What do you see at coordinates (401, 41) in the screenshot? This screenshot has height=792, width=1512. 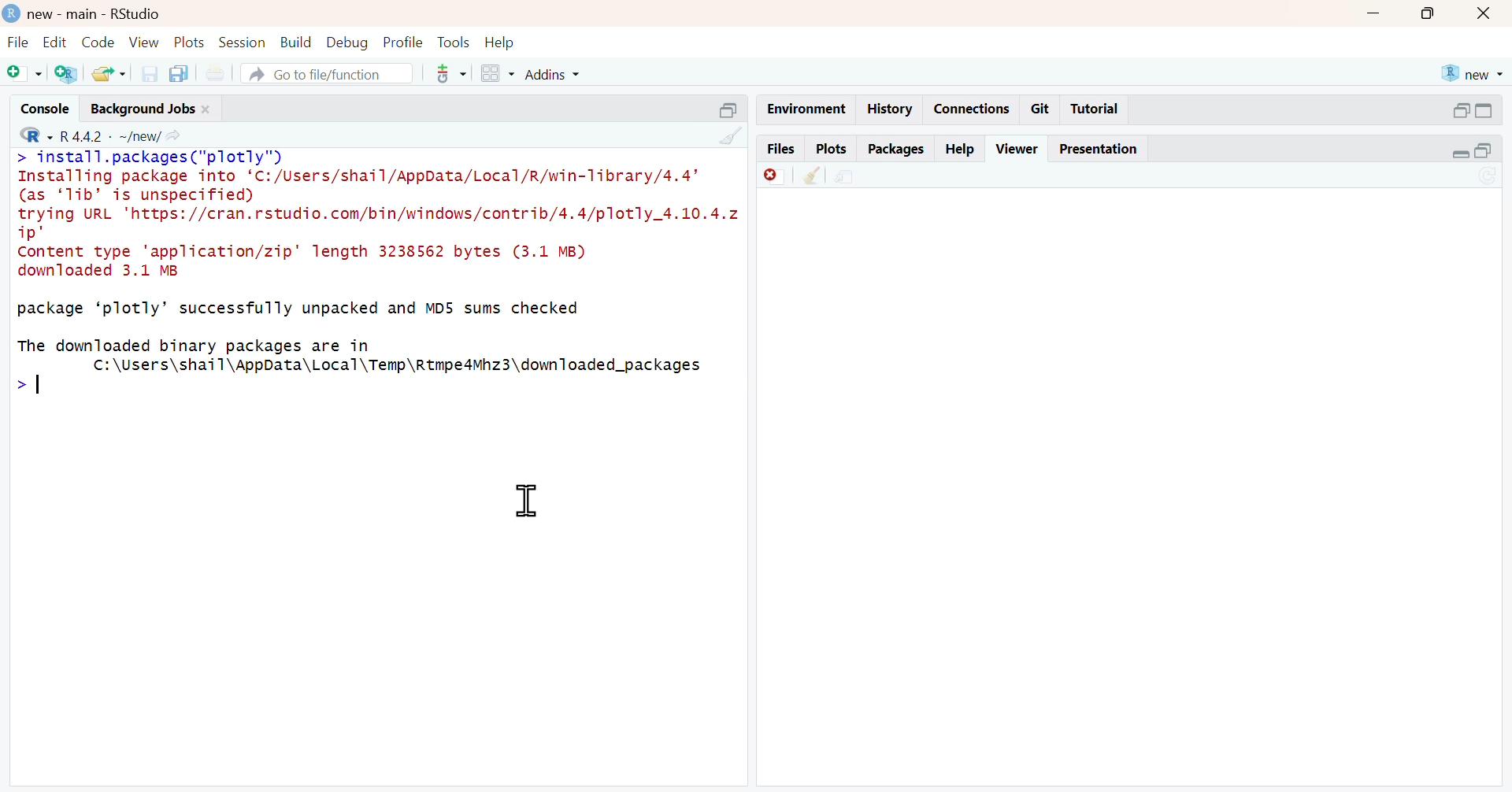 I see `profile` at bounding box center [401, 41].